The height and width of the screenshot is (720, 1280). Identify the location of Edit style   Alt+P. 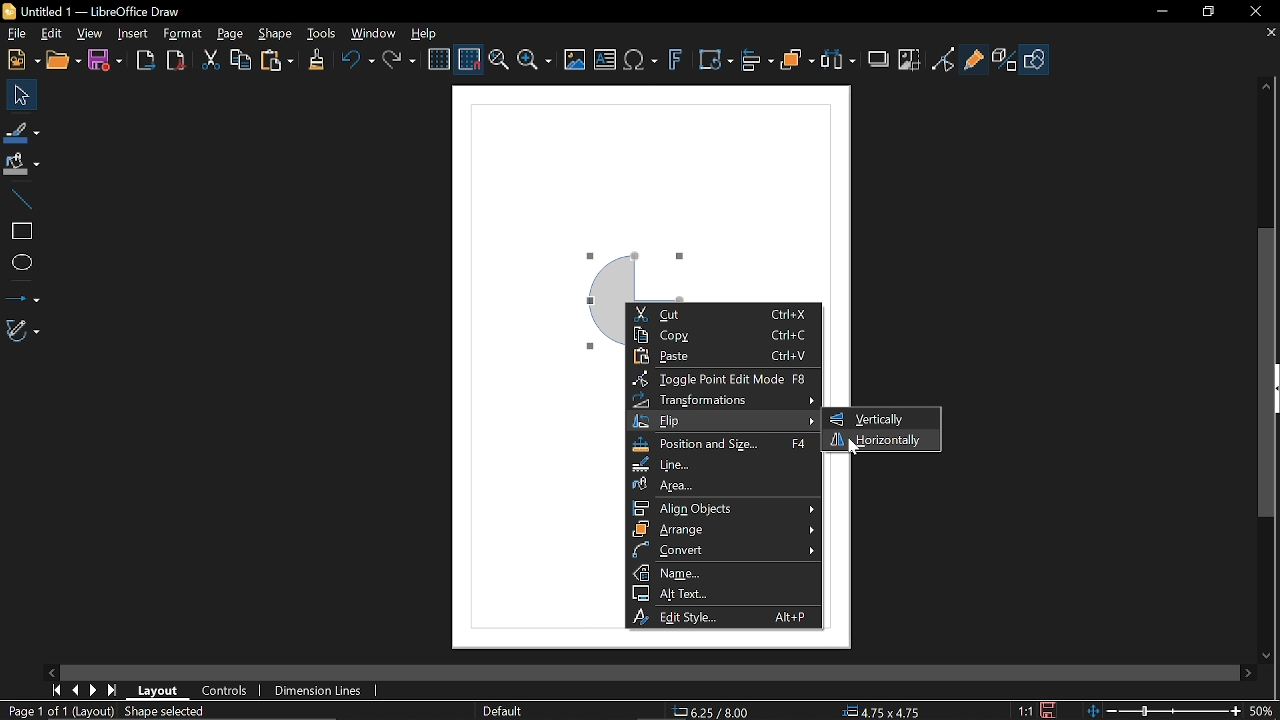
(721, 617).